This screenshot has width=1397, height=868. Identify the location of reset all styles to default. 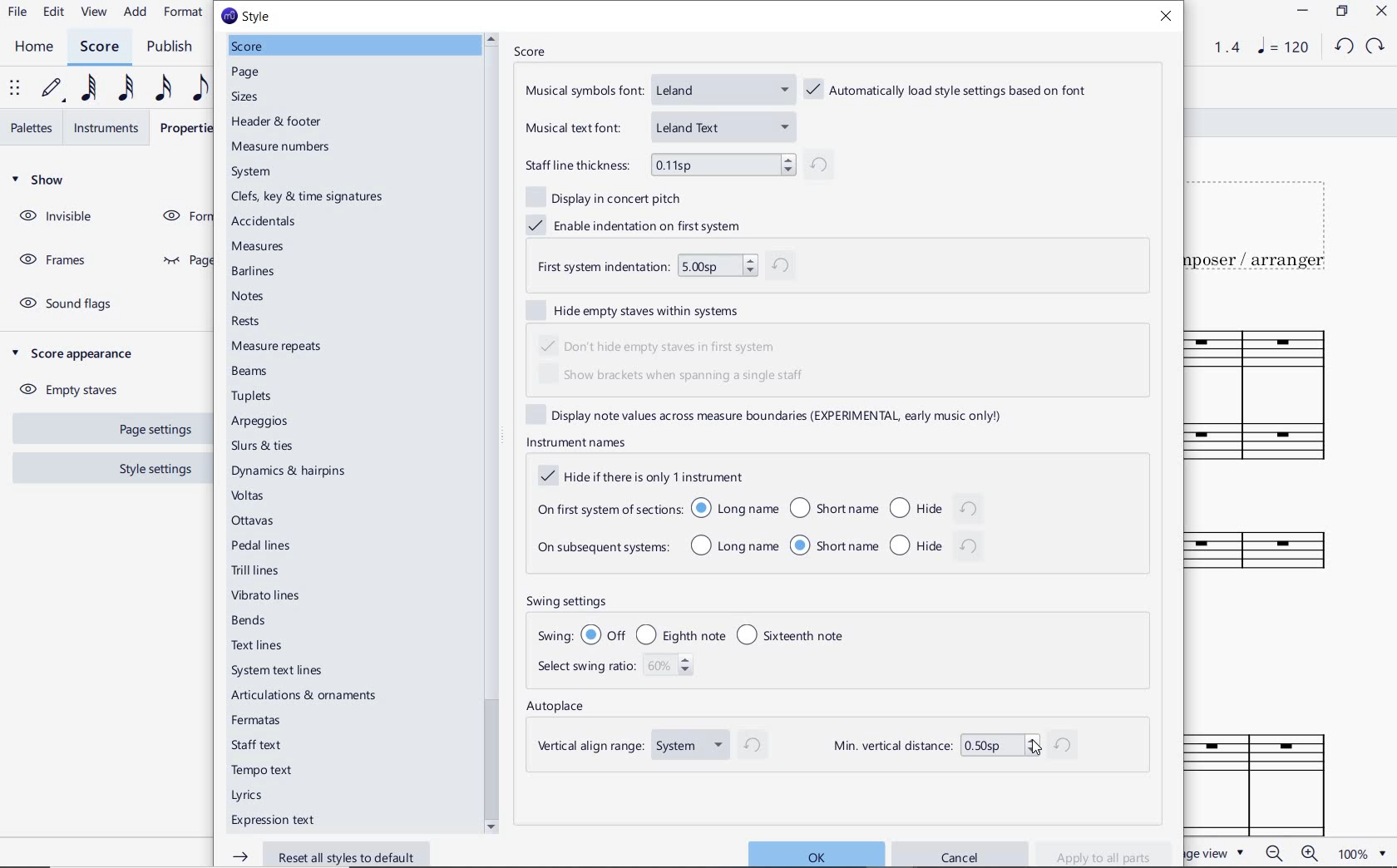
(318, 854).